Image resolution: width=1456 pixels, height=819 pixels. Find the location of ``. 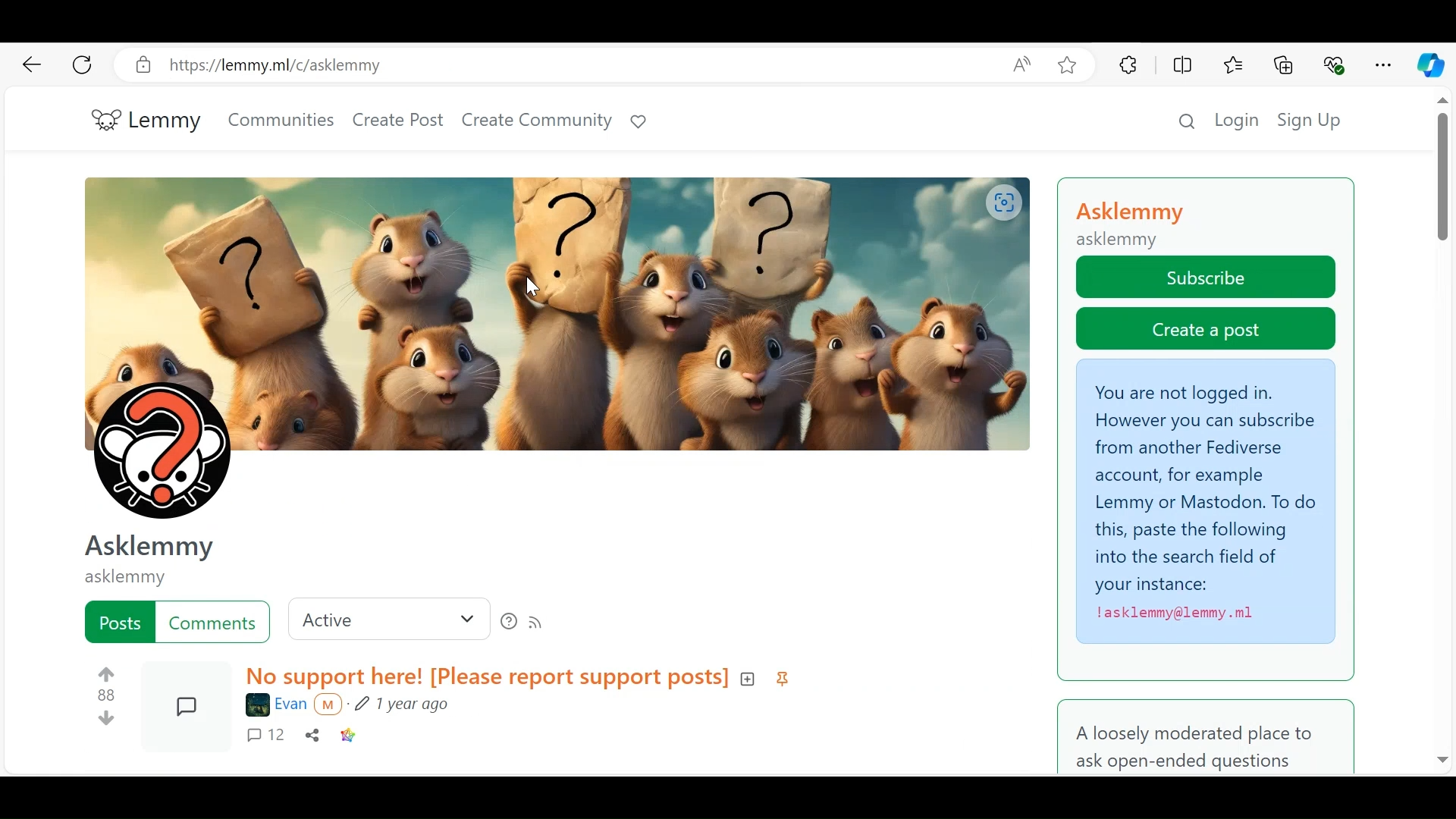

 is located at coordinates (1442, 759).